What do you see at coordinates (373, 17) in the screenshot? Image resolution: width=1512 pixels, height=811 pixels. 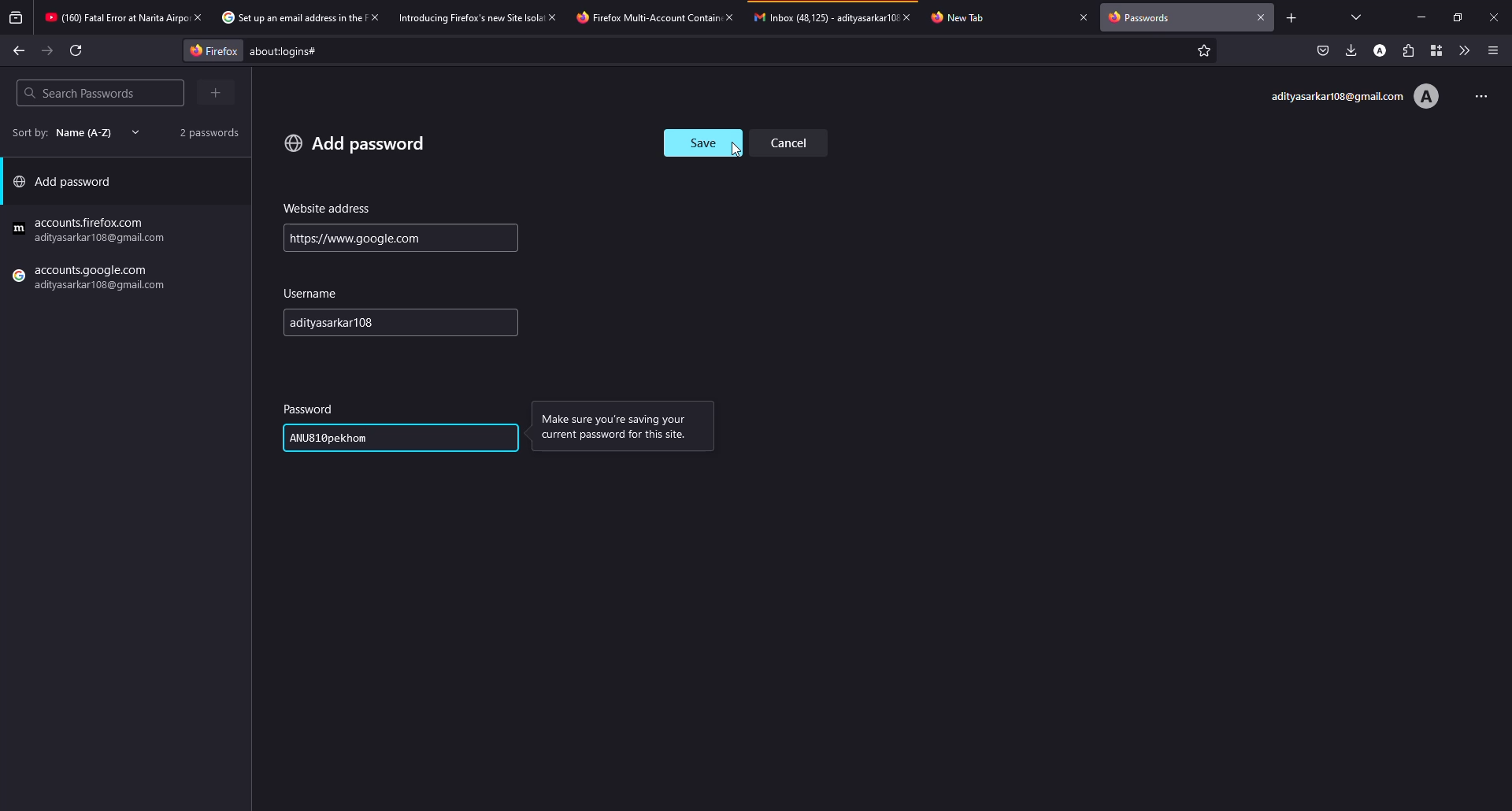 I see `close` at bounding box center [373, 17].